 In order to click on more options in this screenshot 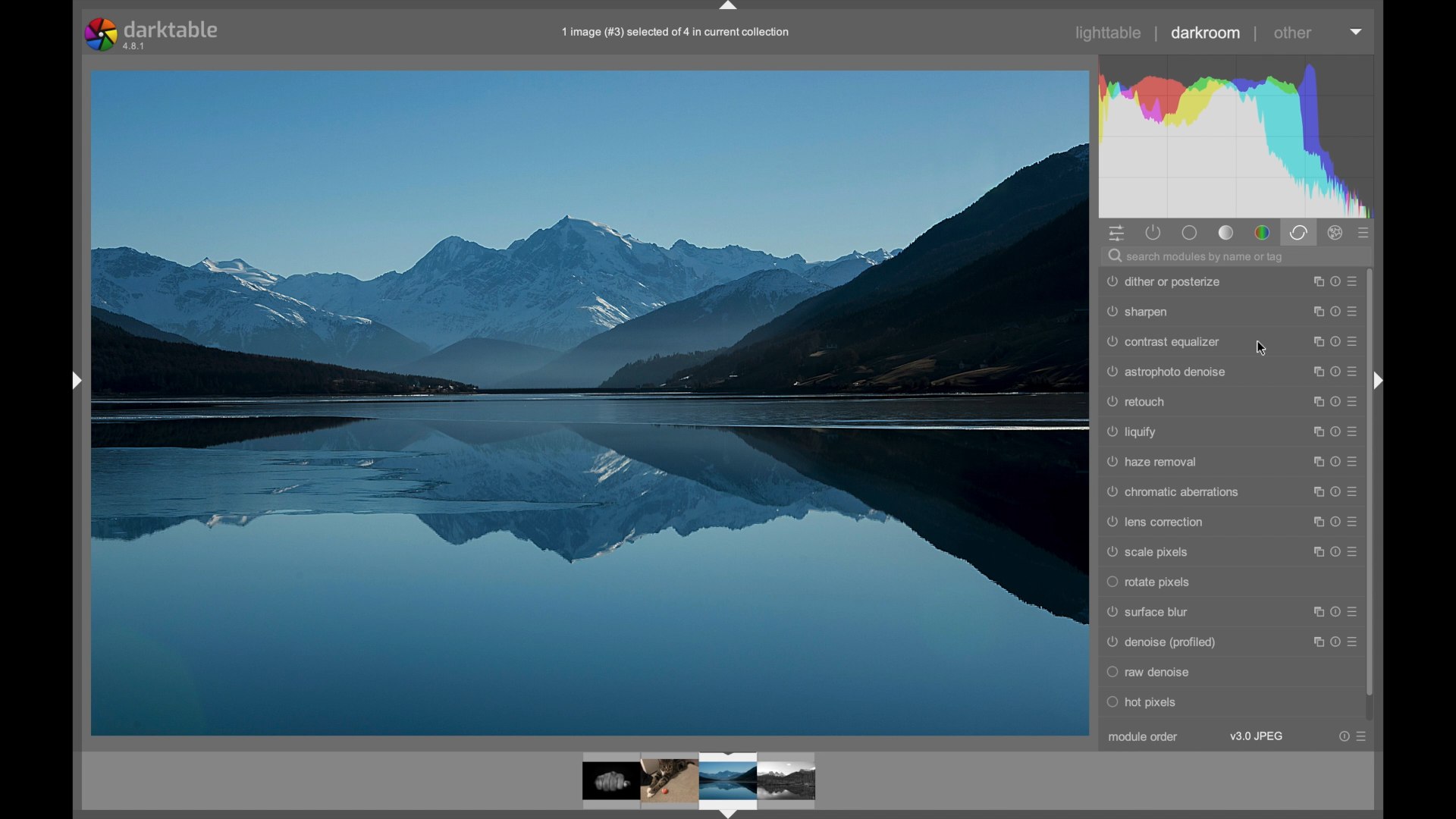, I will do `click(1333, 372)`.